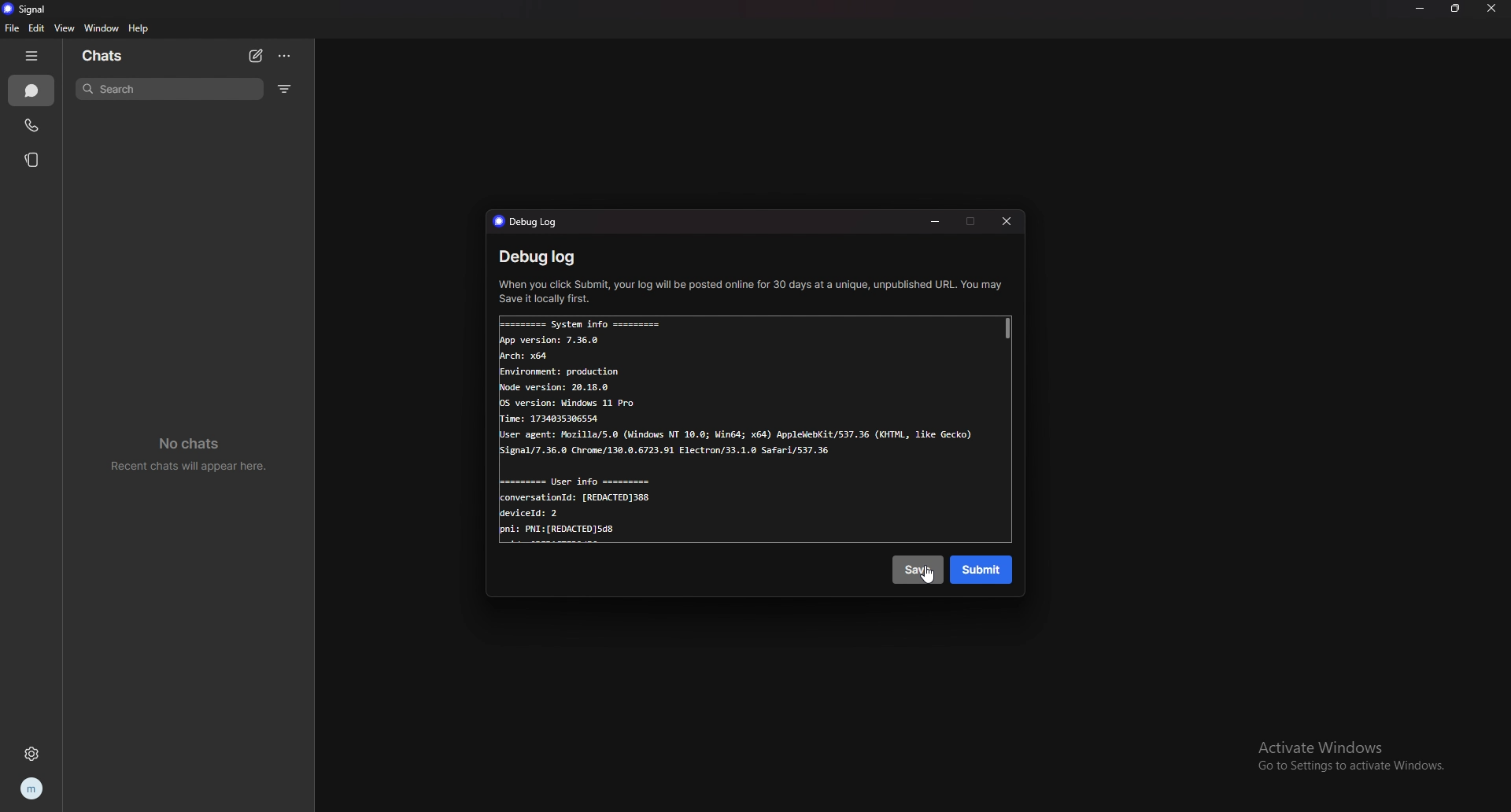 Image resolution: width=1511 pixels, height=812 pixels. Describe the element at coordinates (120, 56) in the screenshot. I see `chats` at that location.